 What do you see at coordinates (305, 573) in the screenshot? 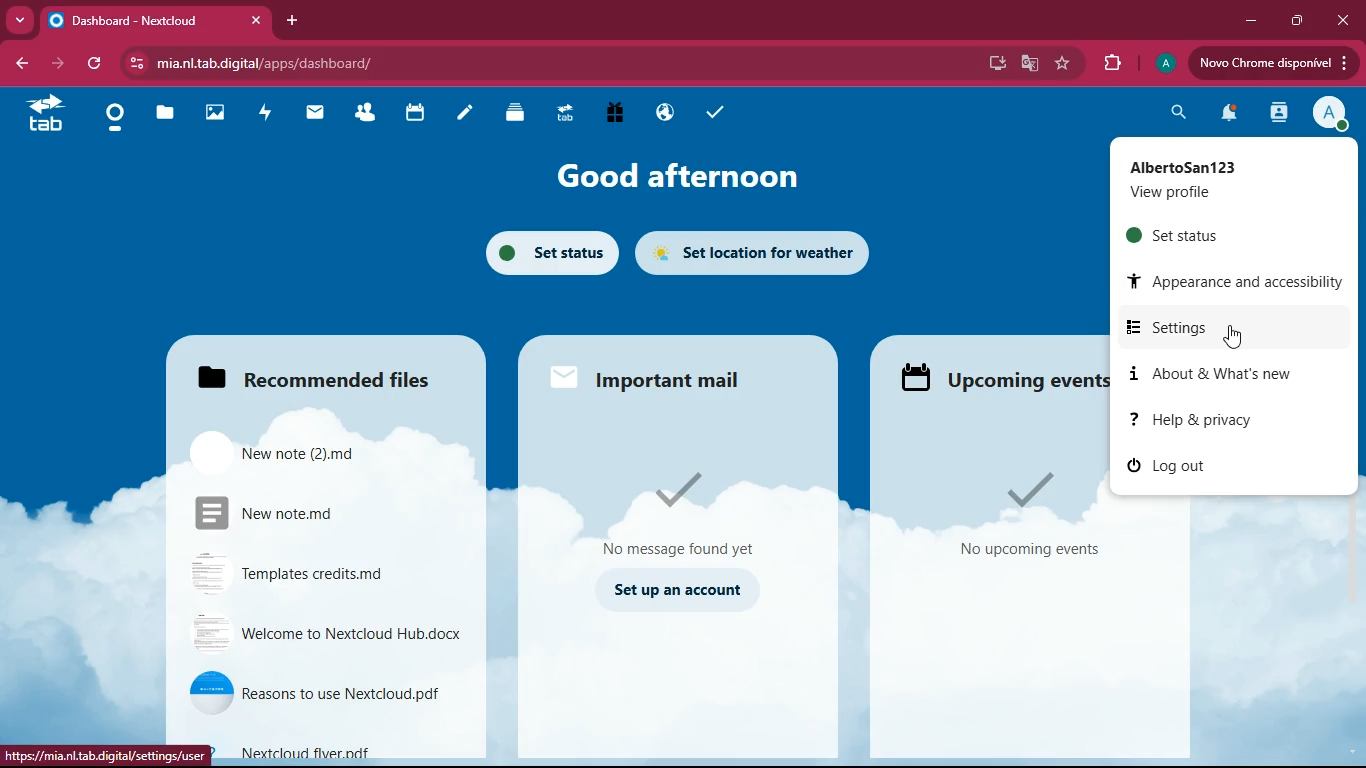
I see `file` at bounding box center [305, 573].